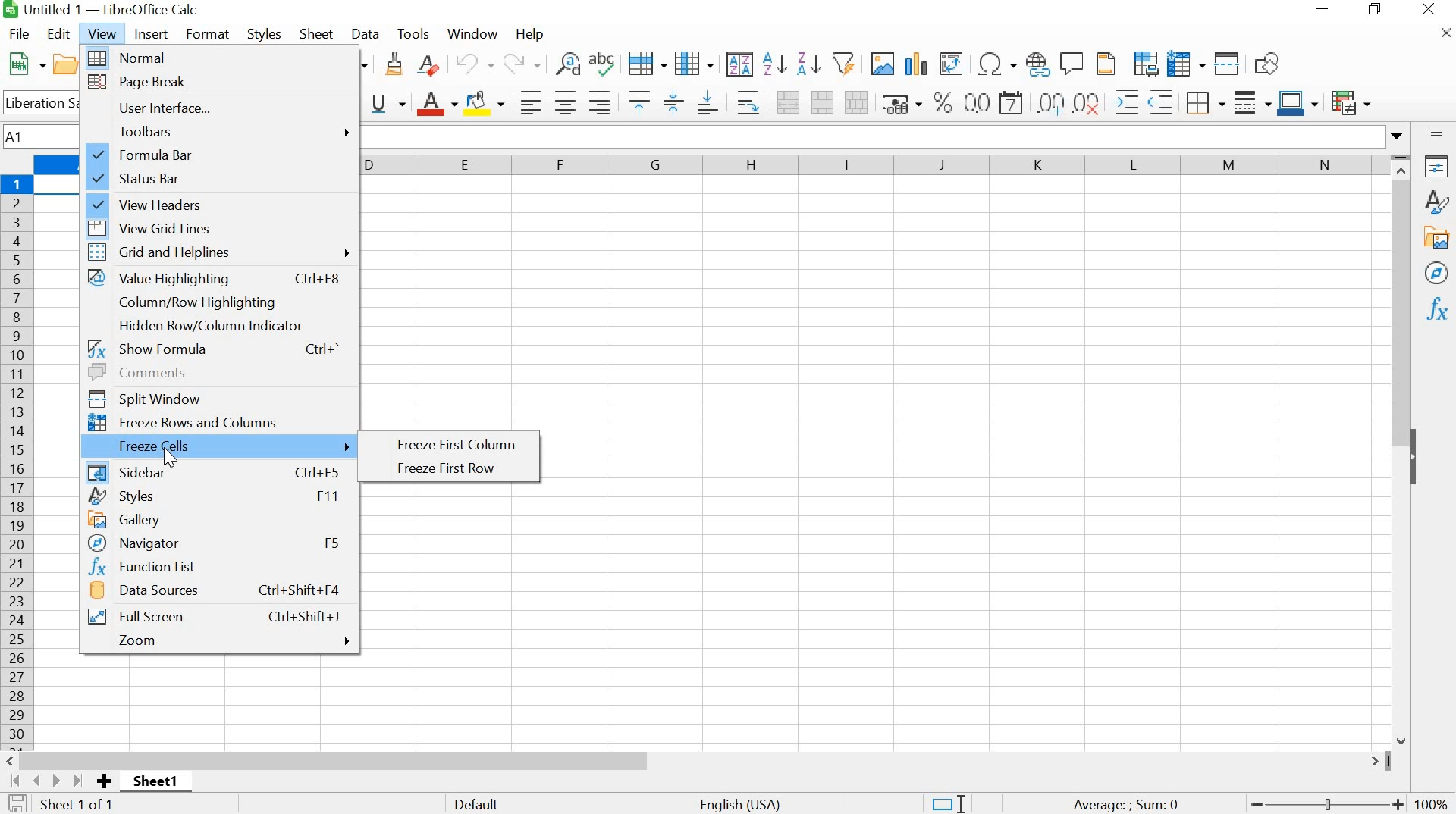 The width and height of the screenshot is (1456, 814). I want to click on ADD DECIMAL PLACE OR DELETE DECIMAL PLACE, so click(1071, 101).